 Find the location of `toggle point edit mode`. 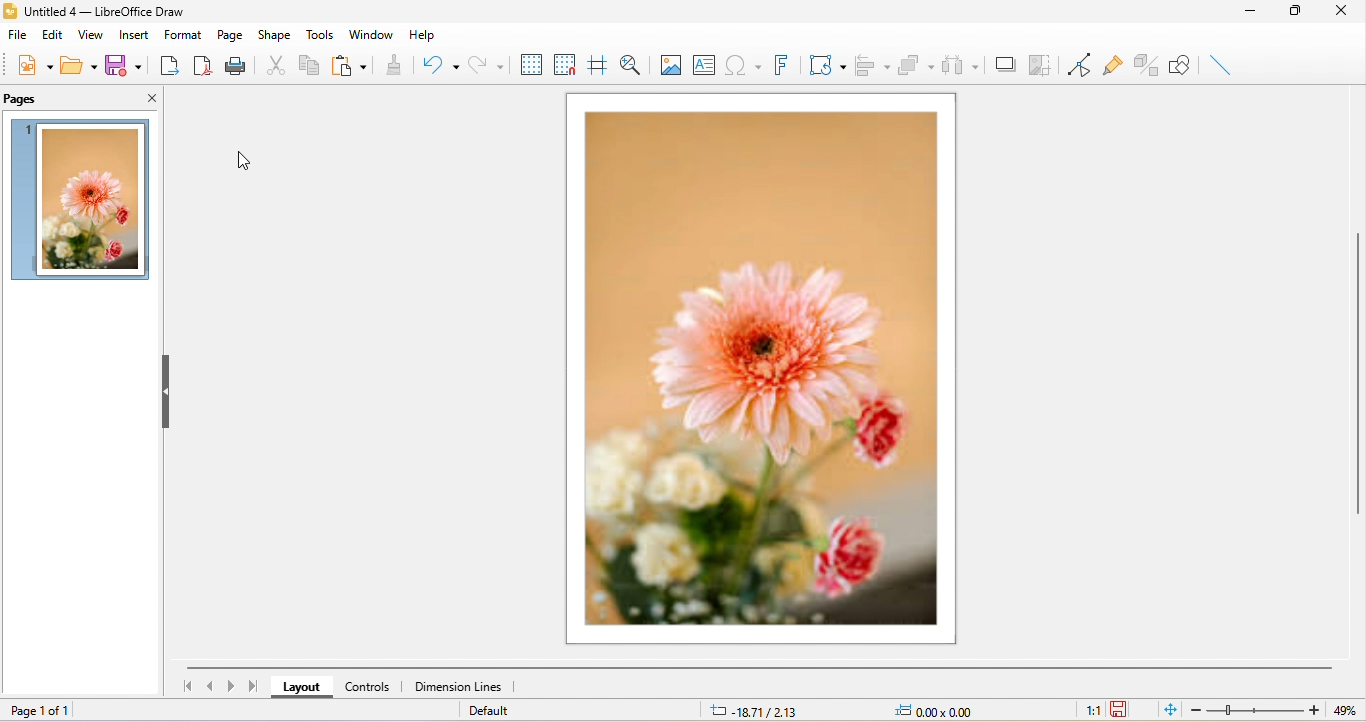

toggle point edit mode is located at coordinates (1083, 66).